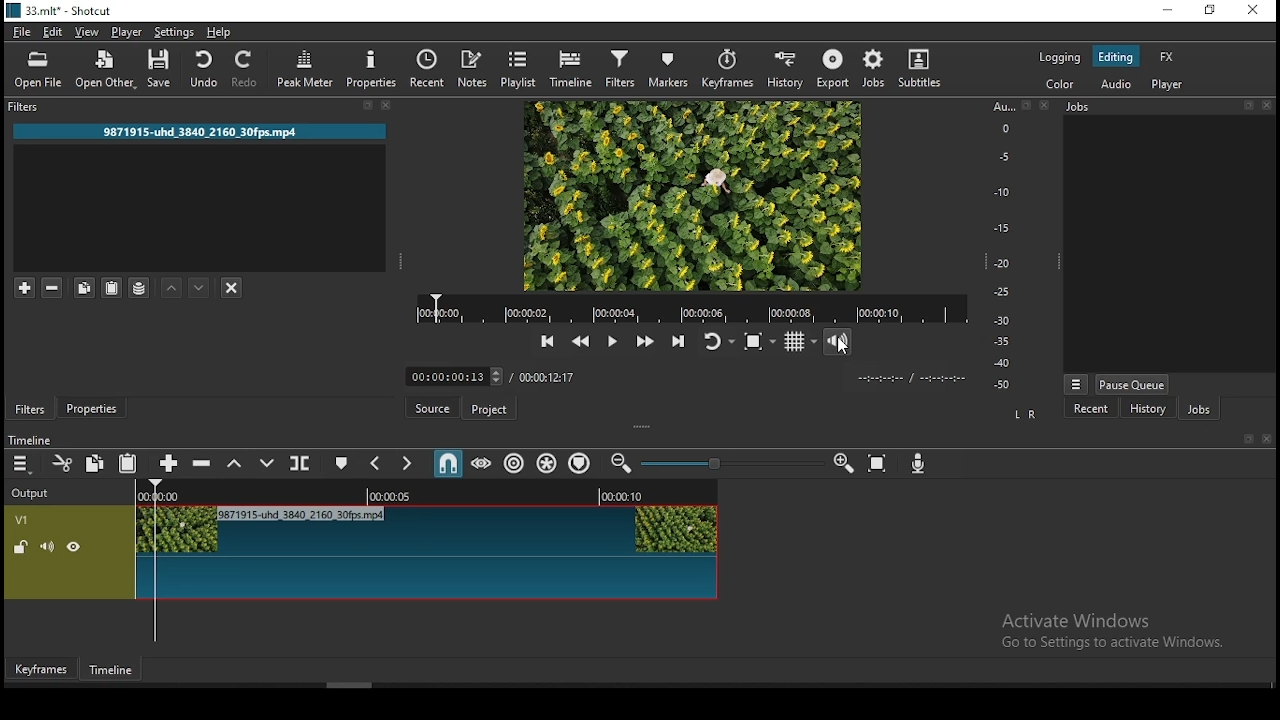 Image resolution: width=1280 pixels, height=720 pixels. Describe the element at coordinates (247, 70) in the screenshot. I see `redo` at that location.